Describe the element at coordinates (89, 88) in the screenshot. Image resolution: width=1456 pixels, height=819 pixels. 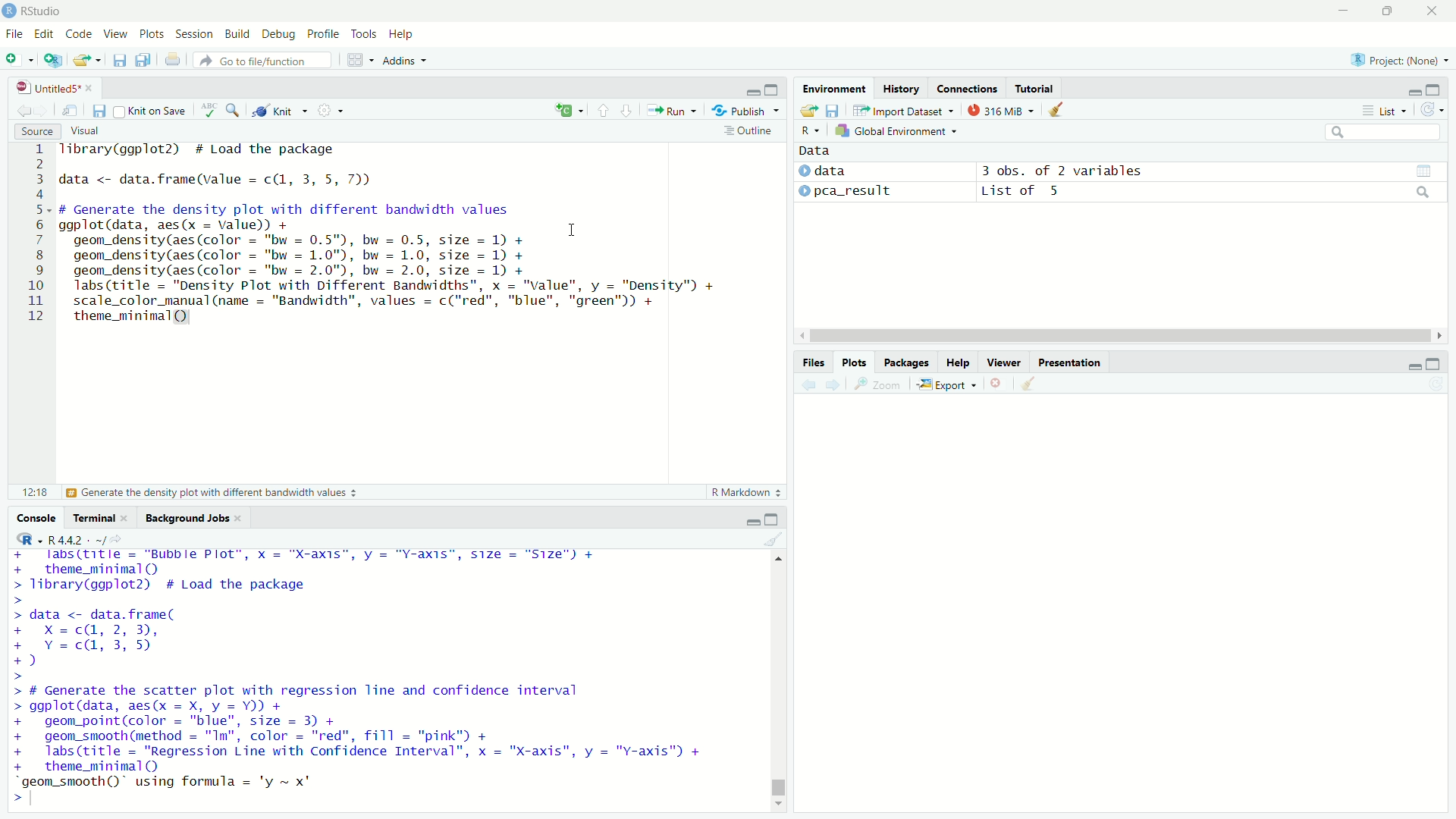
I see `close` at that location.